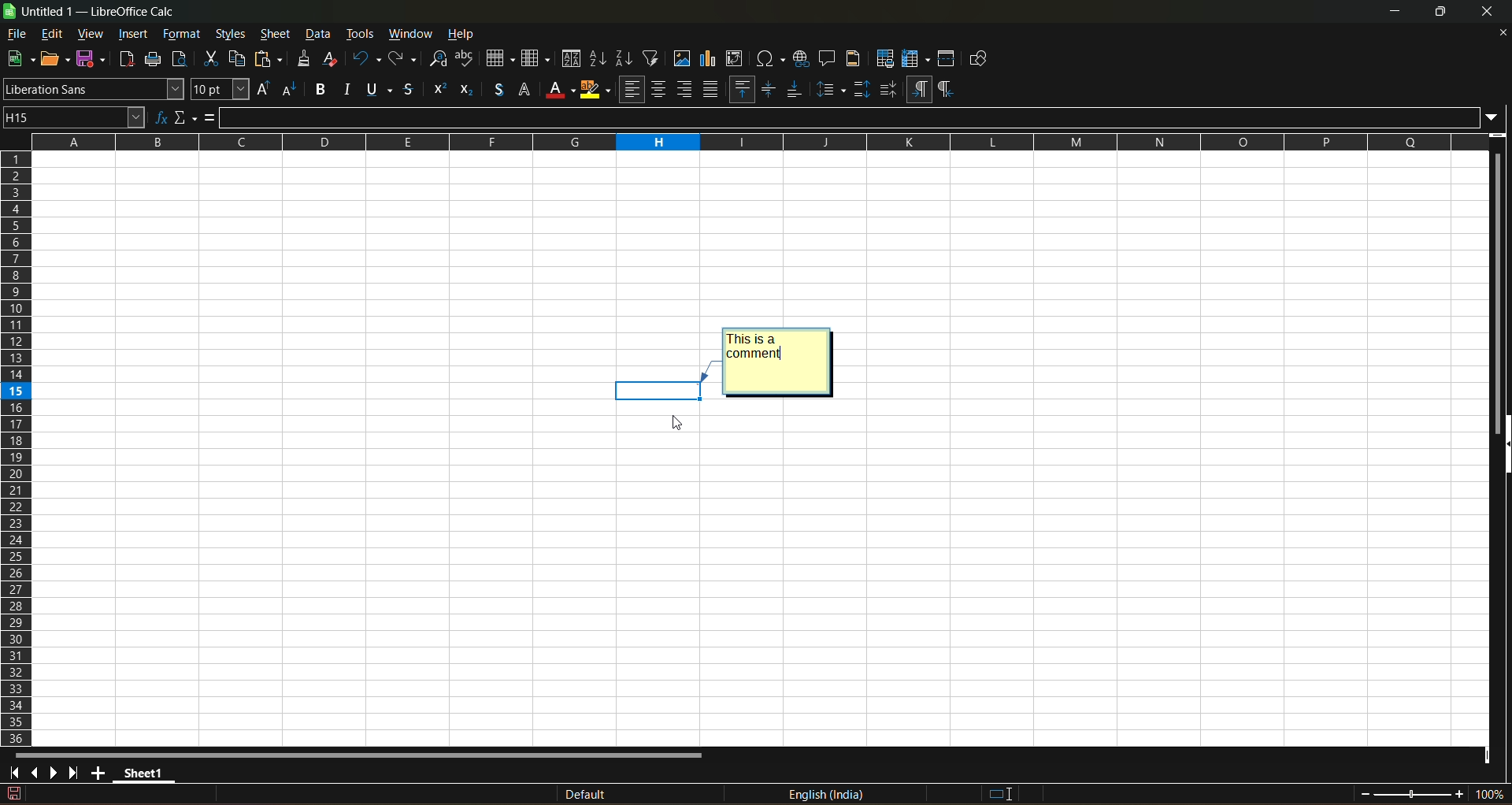  I want to click on sheet, so click(278, 34).